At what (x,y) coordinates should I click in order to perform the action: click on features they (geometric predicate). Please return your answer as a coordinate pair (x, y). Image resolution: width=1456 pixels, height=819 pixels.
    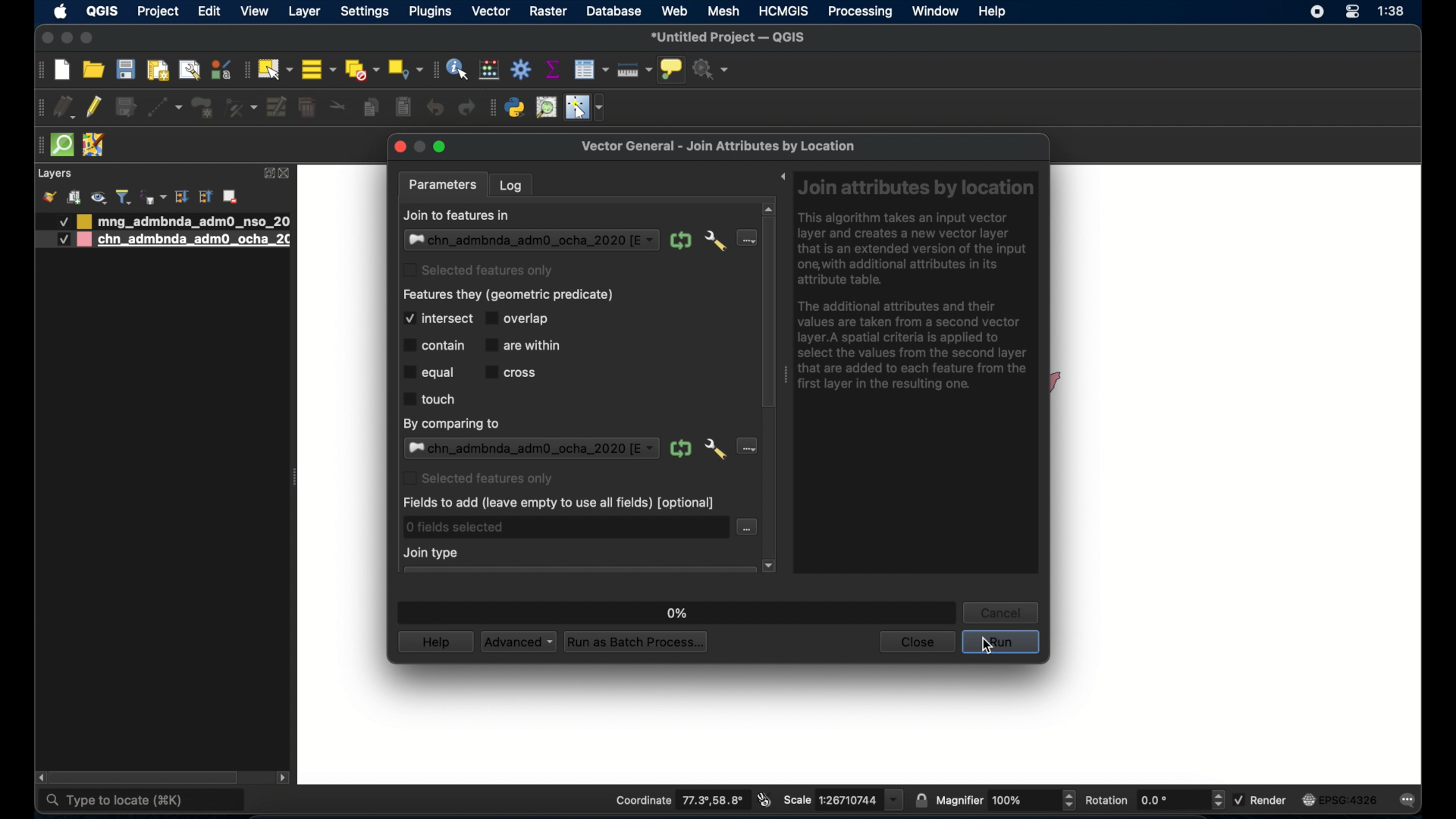
    Looking at the image, I should click on (512, 294).